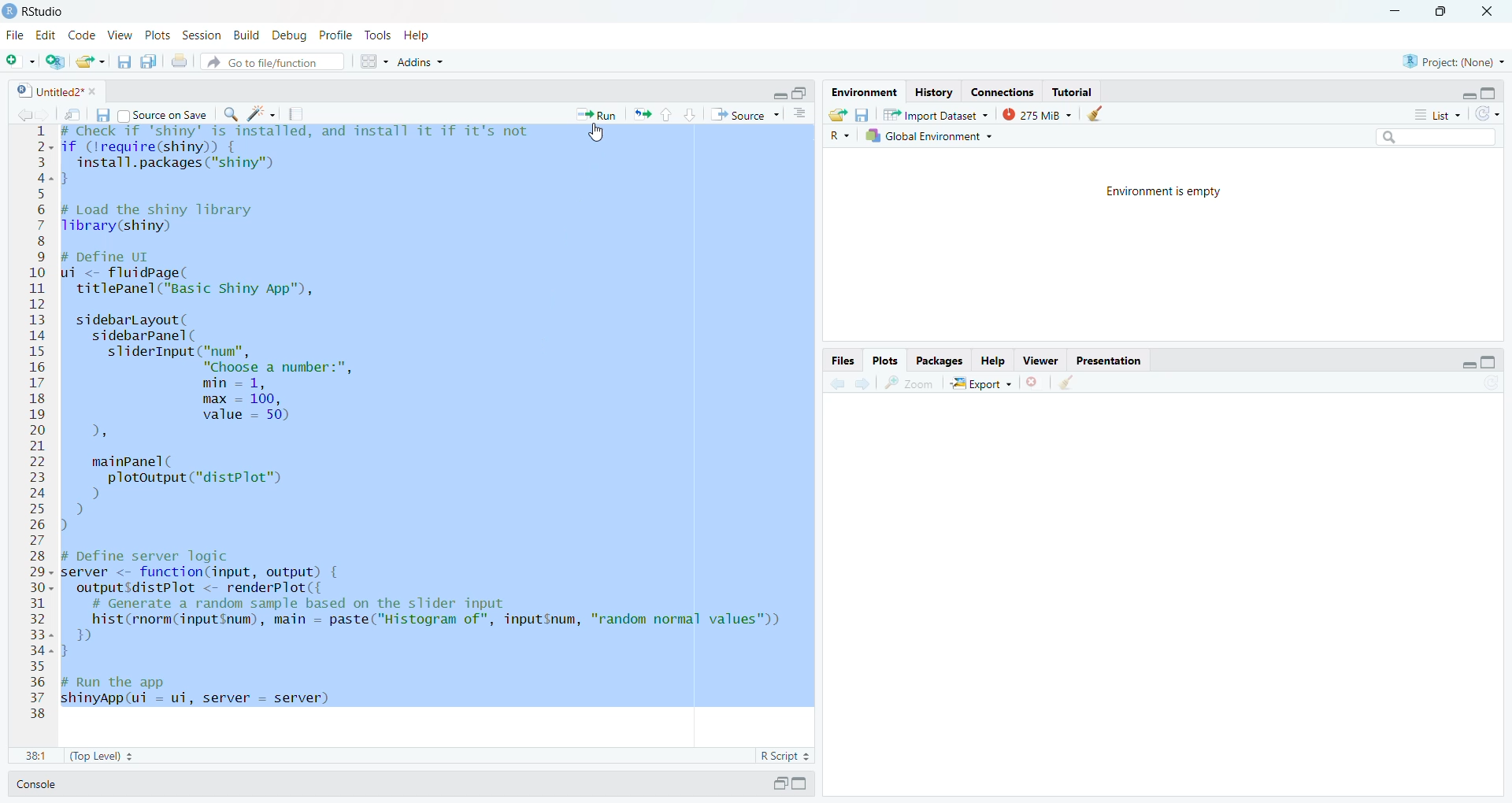  I want to click on Session, so click(201, 35).